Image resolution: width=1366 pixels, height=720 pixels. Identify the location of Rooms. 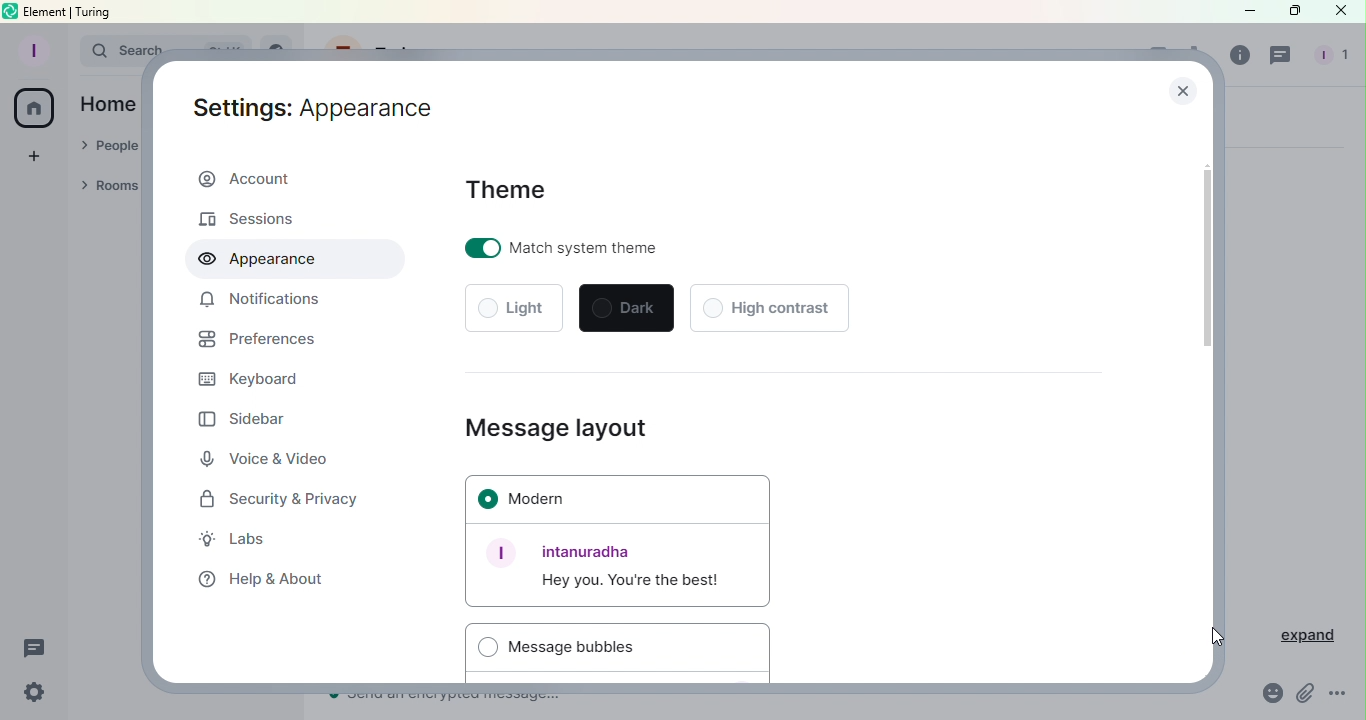
(112, 188).